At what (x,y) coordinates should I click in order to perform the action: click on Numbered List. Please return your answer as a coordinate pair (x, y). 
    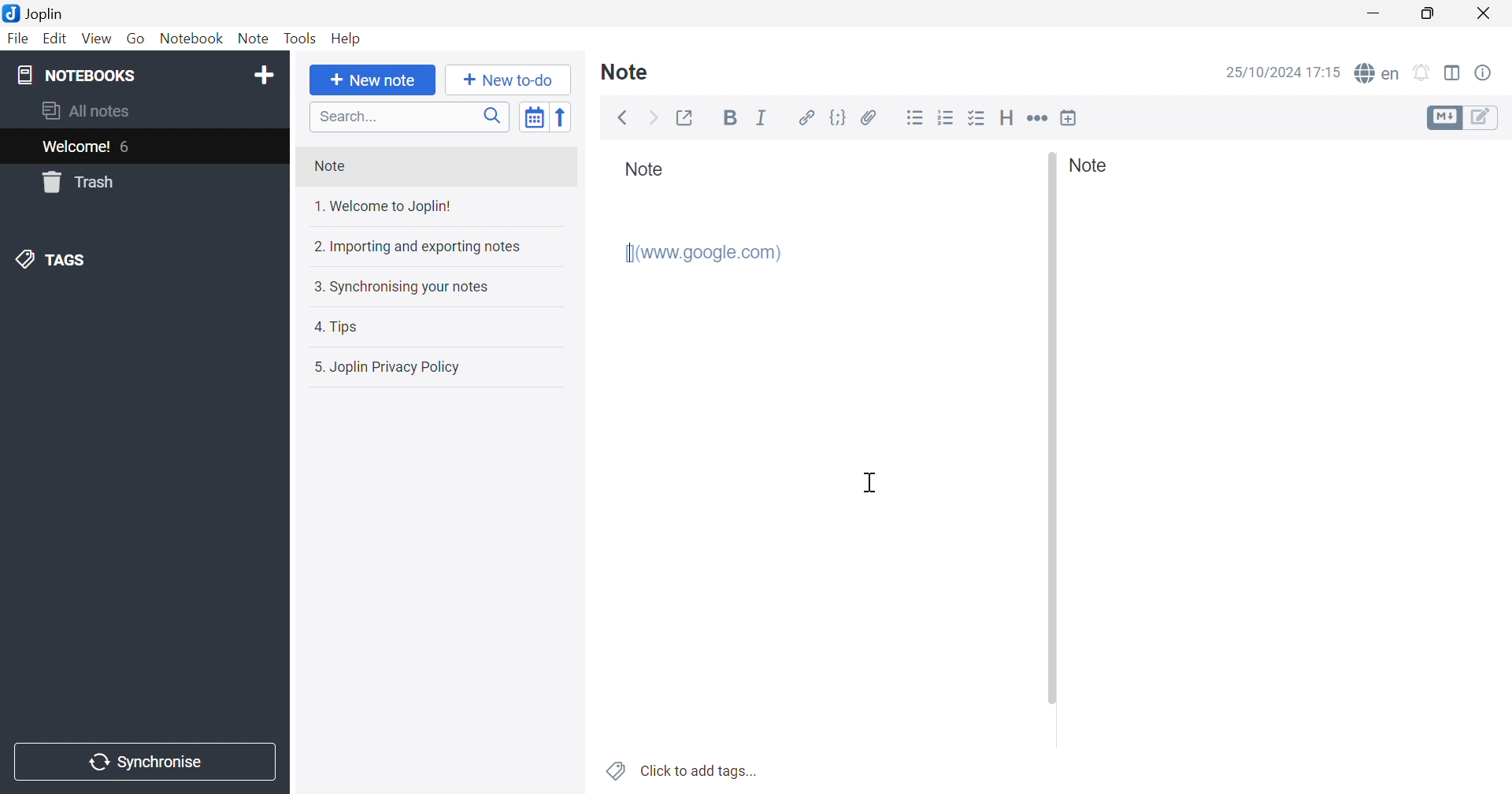
    Looking at the image, I should click on (946, 117).